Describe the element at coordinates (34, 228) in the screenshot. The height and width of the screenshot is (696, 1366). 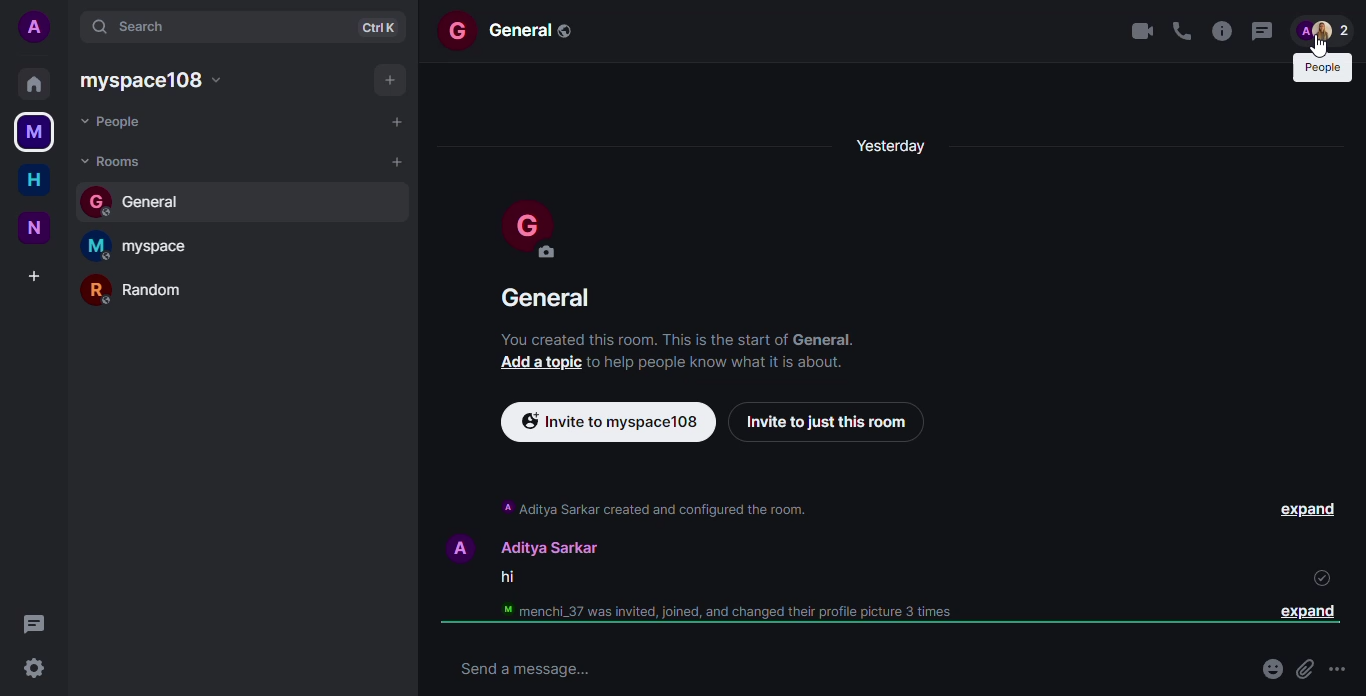
I see `new` at that location.